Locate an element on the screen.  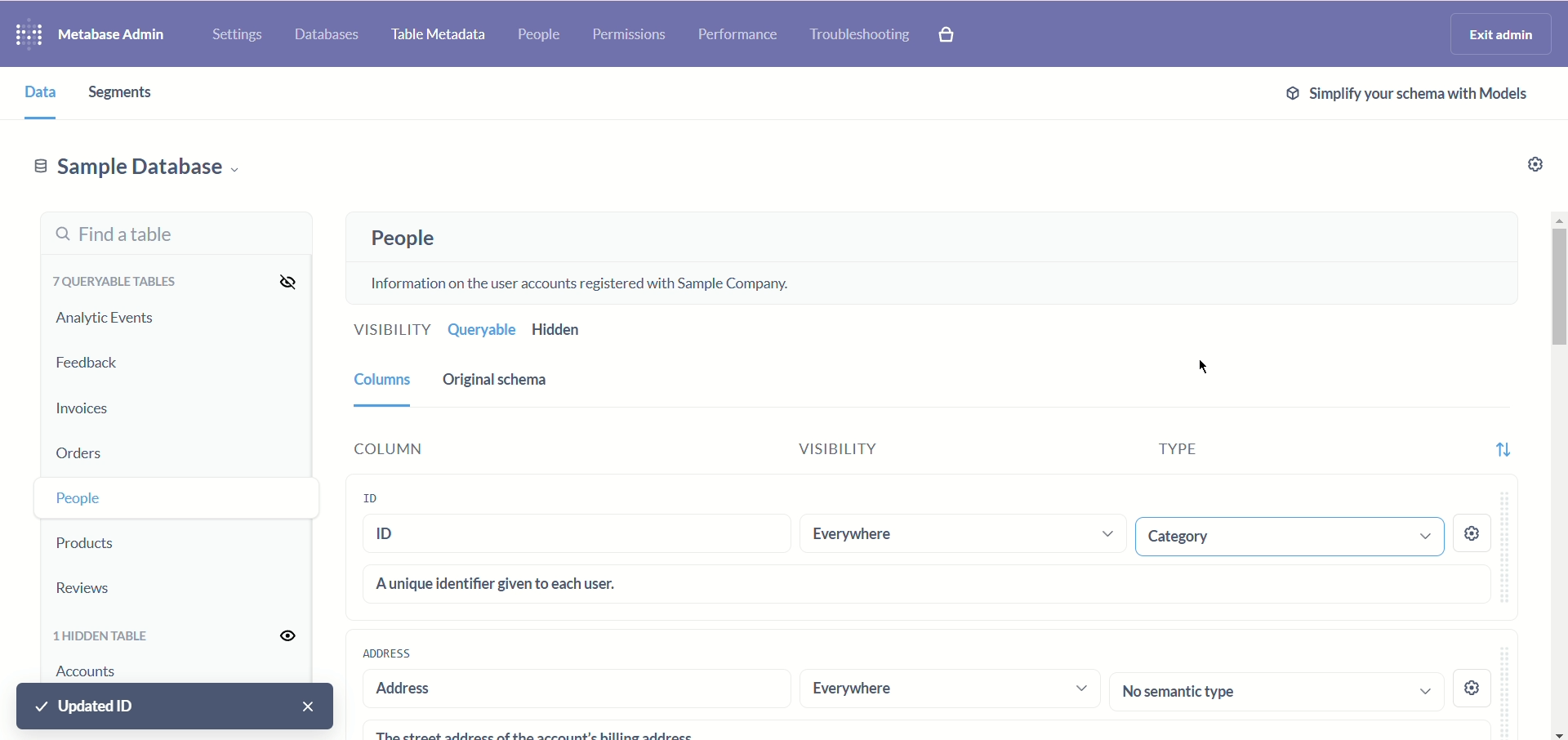
Feedback is located at coordinates (90, 363).